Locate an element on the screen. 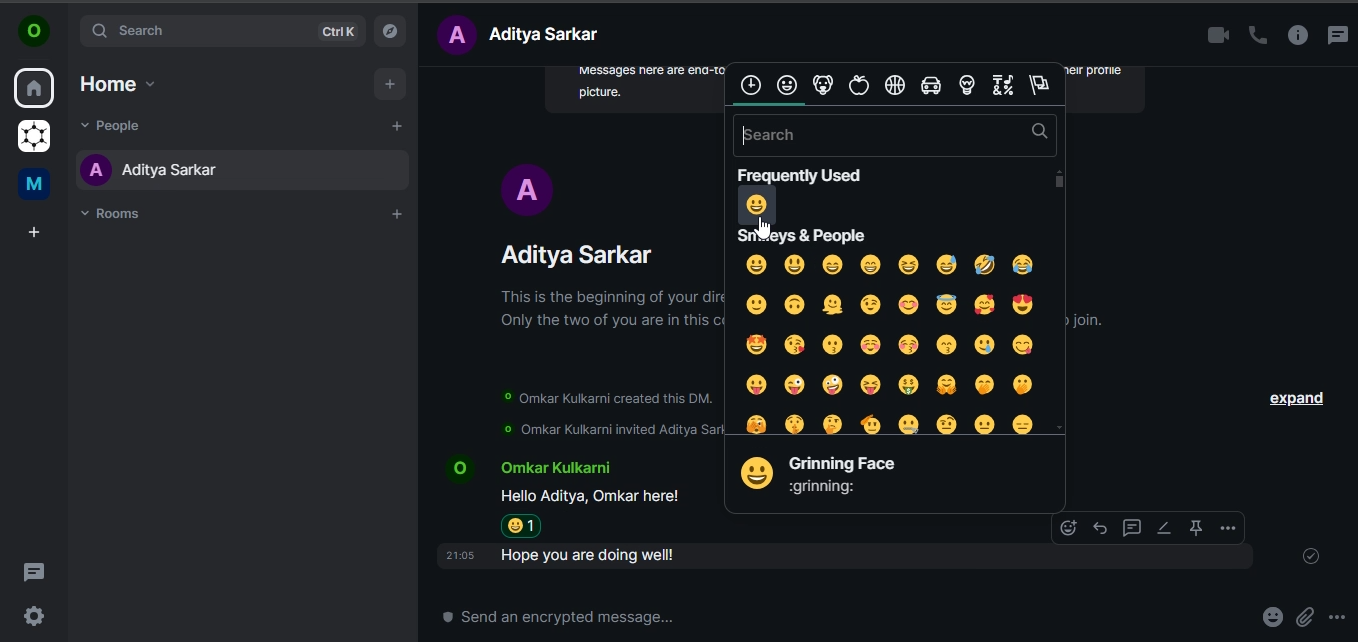 The width and height of the screenshot is (1358, 642). kissing face with closed eyes is located at coordinates (911, 346).